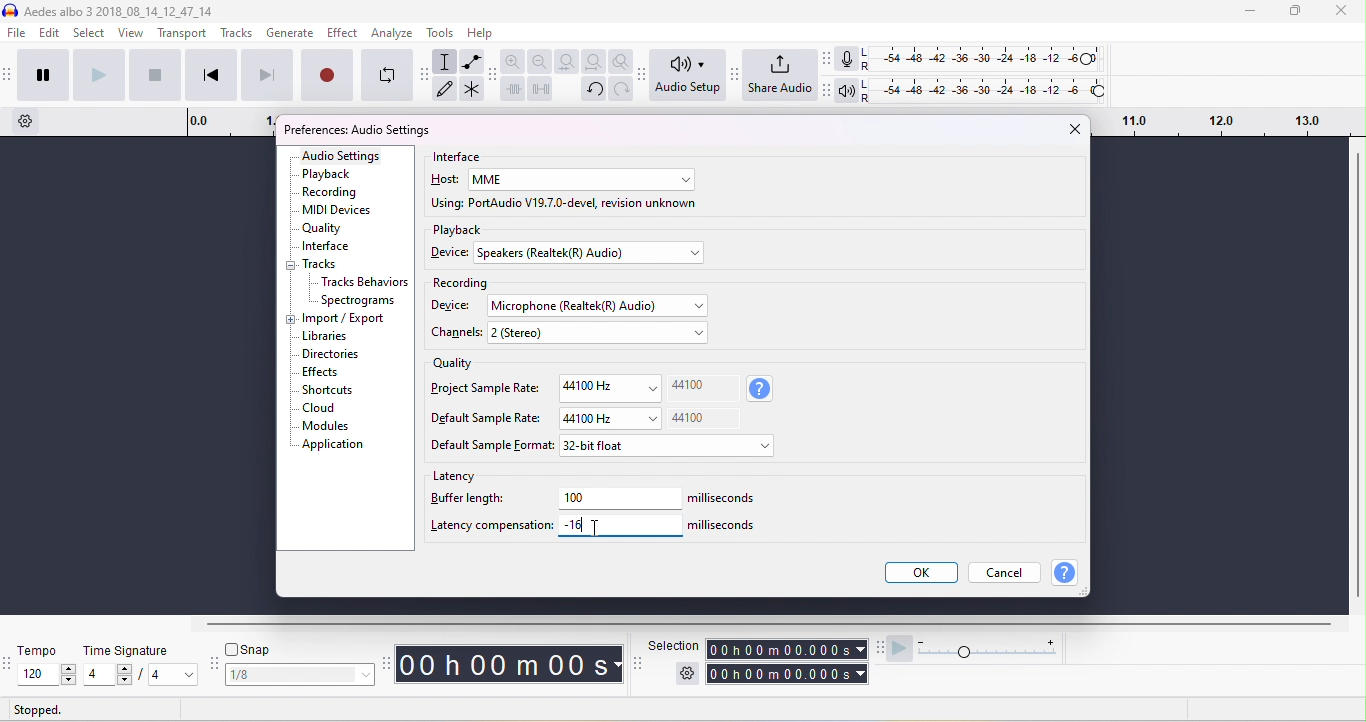 The height and width of the screenshot is (722, 1366). Describe the element at coordinates (774, 625) in the screenshot. I see `horizontal scroll bar` at that location.